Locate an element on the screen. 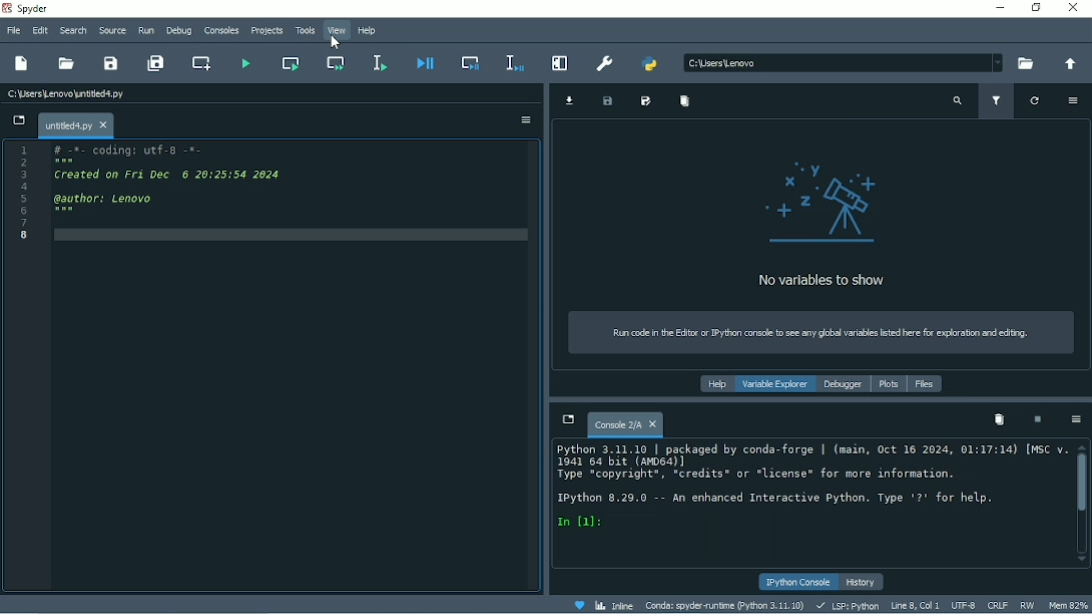  Refresh variables is located at coordinates (1033, 101).